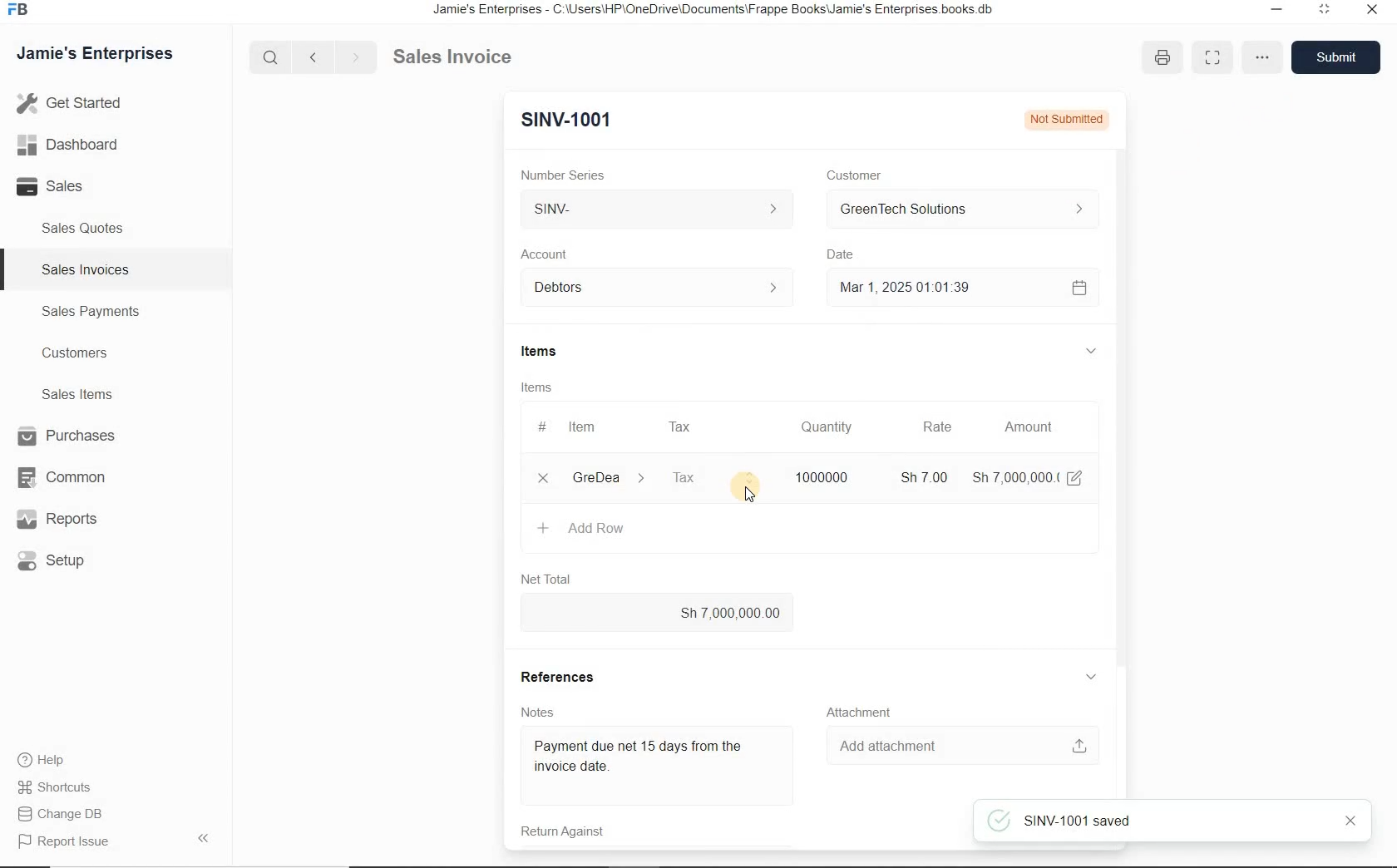 The width and height of the screenshot is (1397, 868). What do you see at coordinates (62, 759) in the screenshot?
I see `) Help` at bounding box center [62, 759].